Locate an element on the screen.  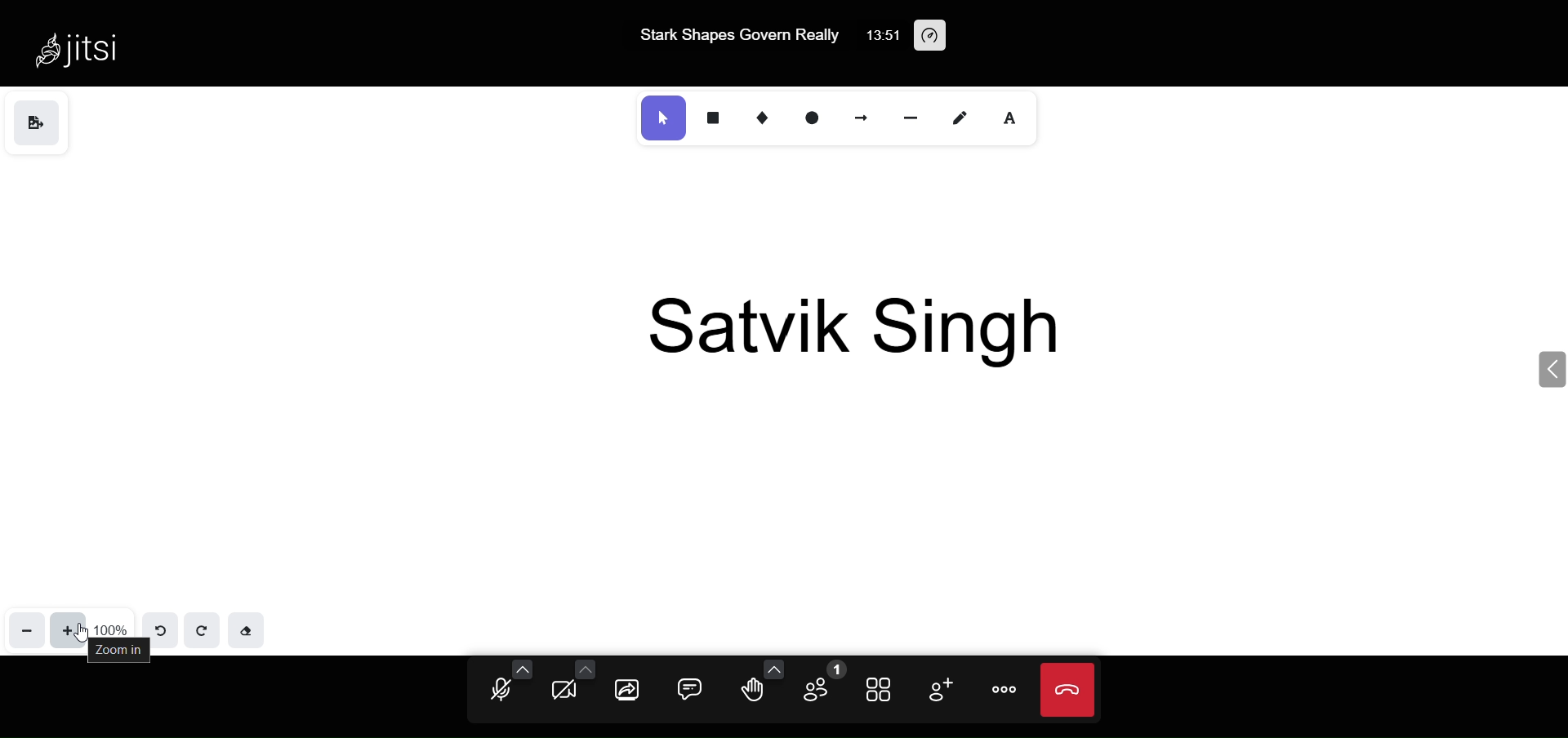
screen share is located at coordinates (627, 689).